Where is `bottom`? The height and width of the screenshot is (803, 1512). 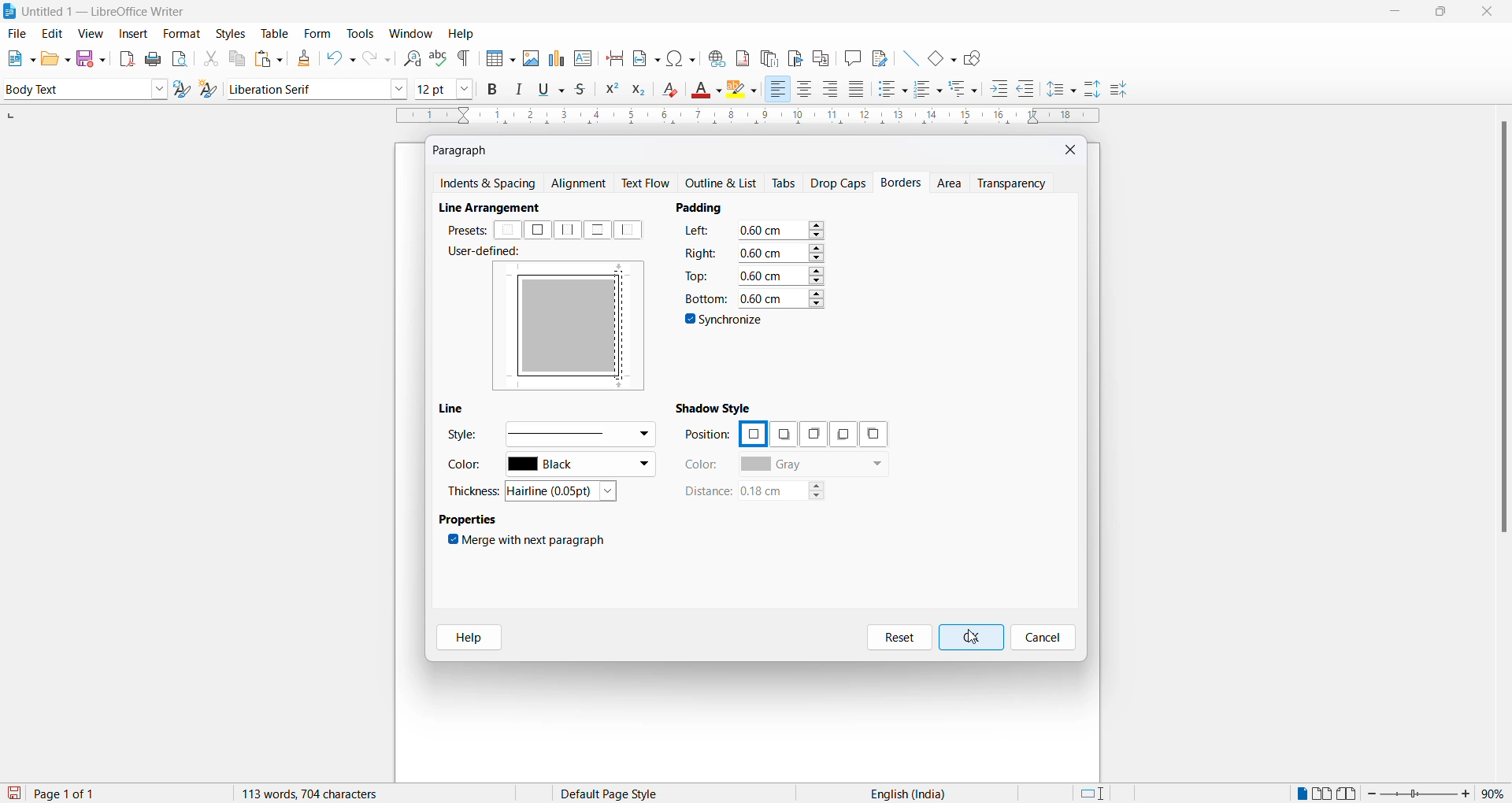
bottom is located at coordinates (704, 298).